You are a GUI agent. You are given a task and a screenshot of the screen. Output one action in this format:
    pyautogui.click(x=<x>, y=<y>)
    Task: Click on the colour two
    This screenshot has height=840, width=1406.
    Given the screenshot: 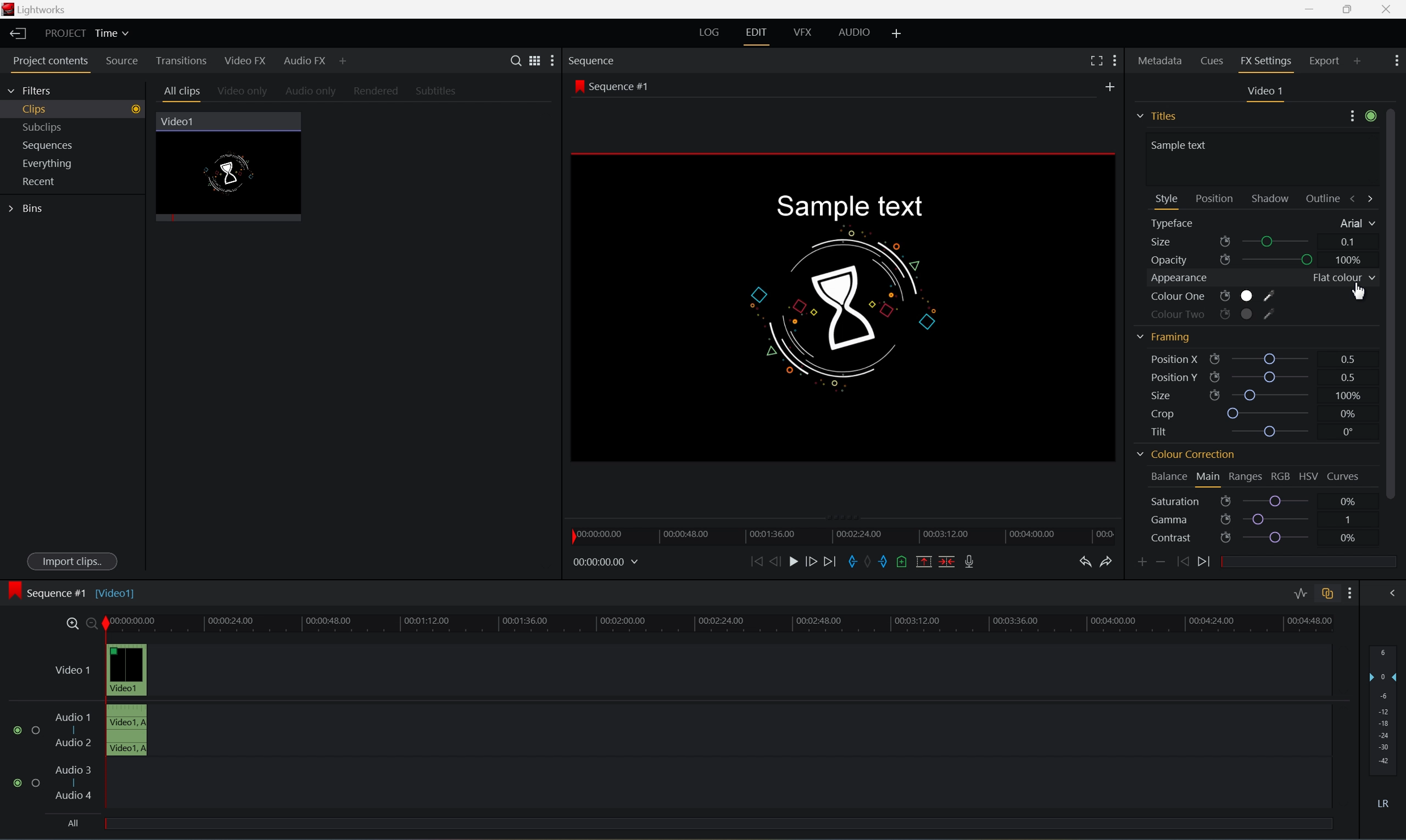 What is the action you would take?
    pyautogui.click(x=1210, y=314)
    